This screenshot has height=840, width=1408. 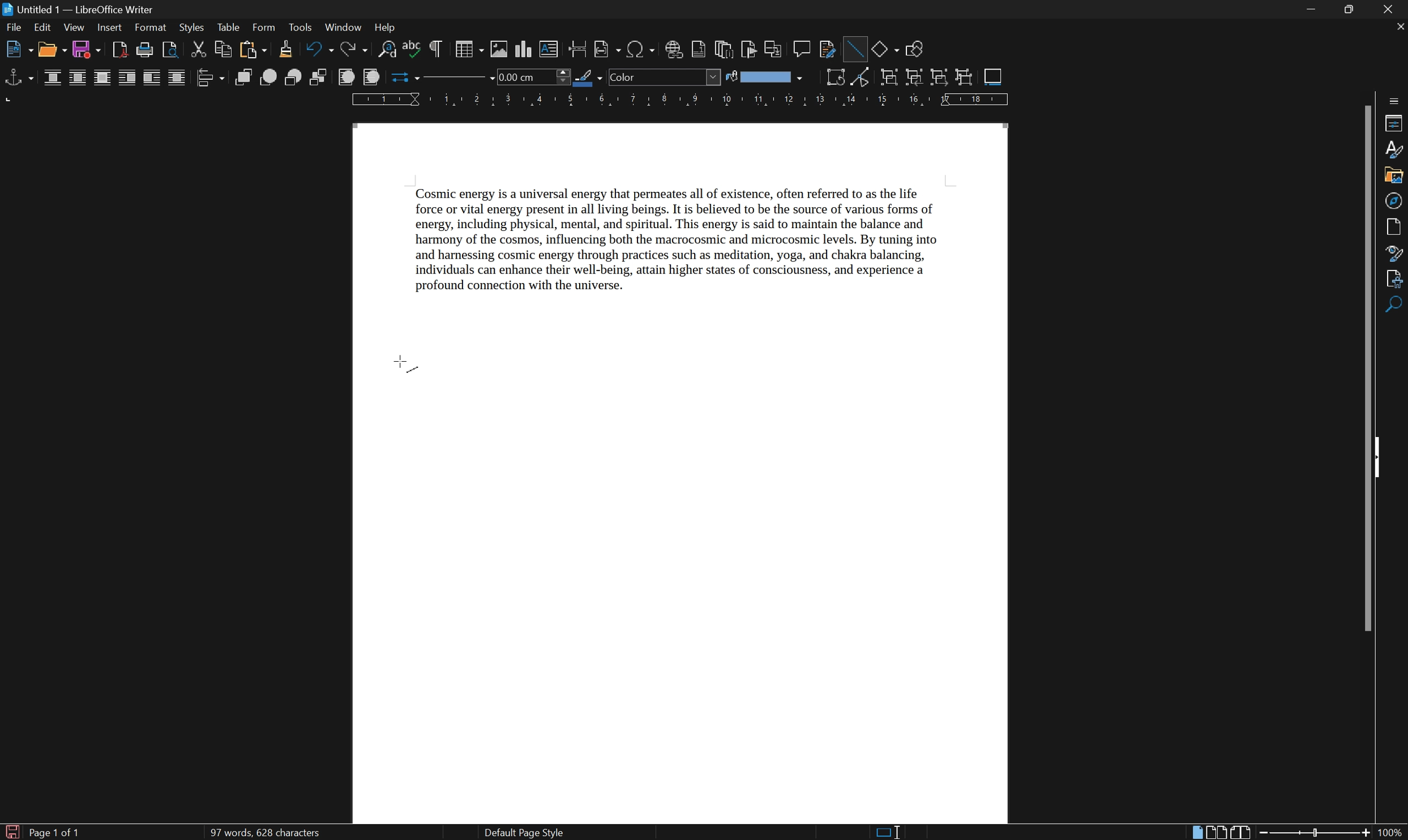 What do you see at coordinates (525, 49) in the screenshot?
I see `insert chart` at bounding box center [525, 49].